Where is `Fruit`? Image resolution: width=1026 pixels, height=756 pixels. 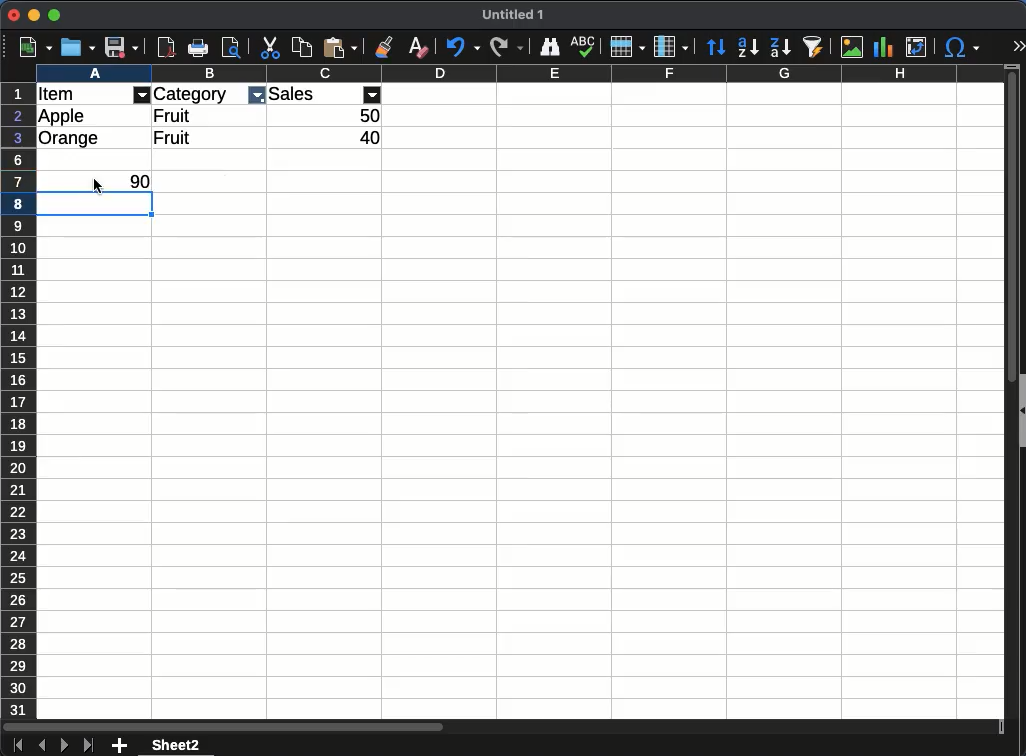 Fruit is located at coordinates (174, 115).